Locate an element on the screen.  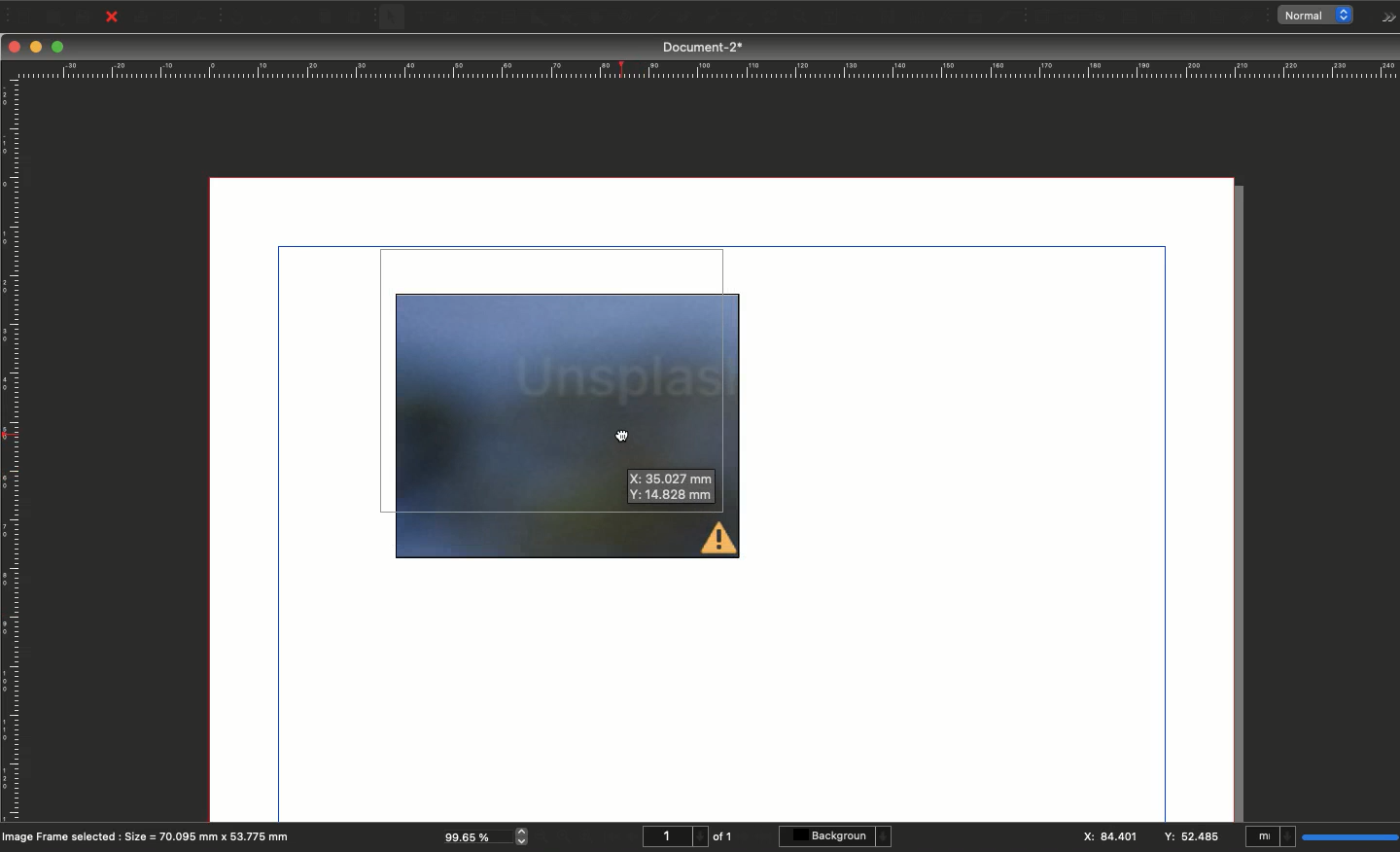
PDF combo box is located at coordinates (1157, 18).